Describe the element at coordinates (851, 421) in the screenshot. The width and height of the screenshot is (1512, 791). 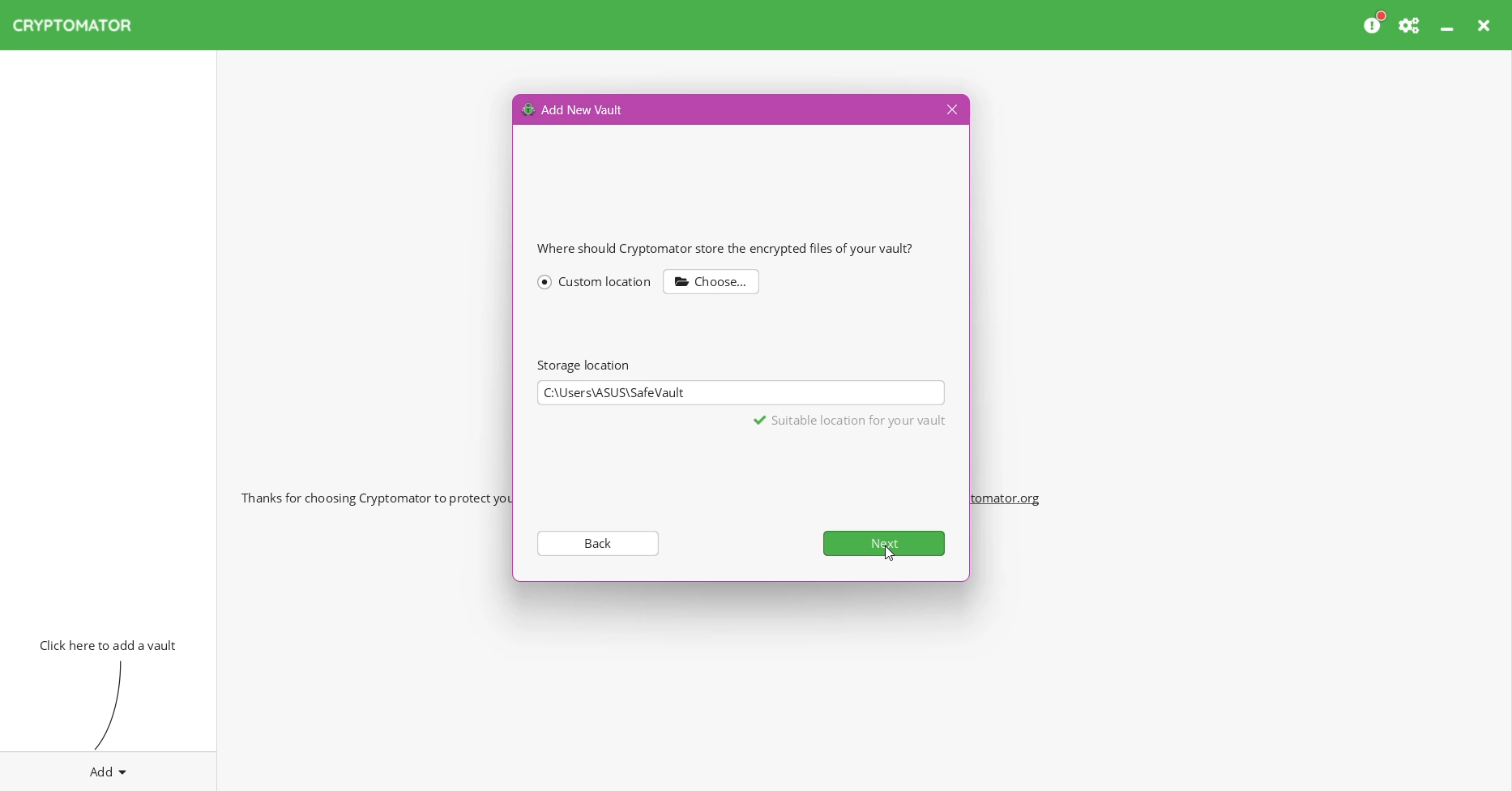
I see `Suitable location for your vault` at that location.